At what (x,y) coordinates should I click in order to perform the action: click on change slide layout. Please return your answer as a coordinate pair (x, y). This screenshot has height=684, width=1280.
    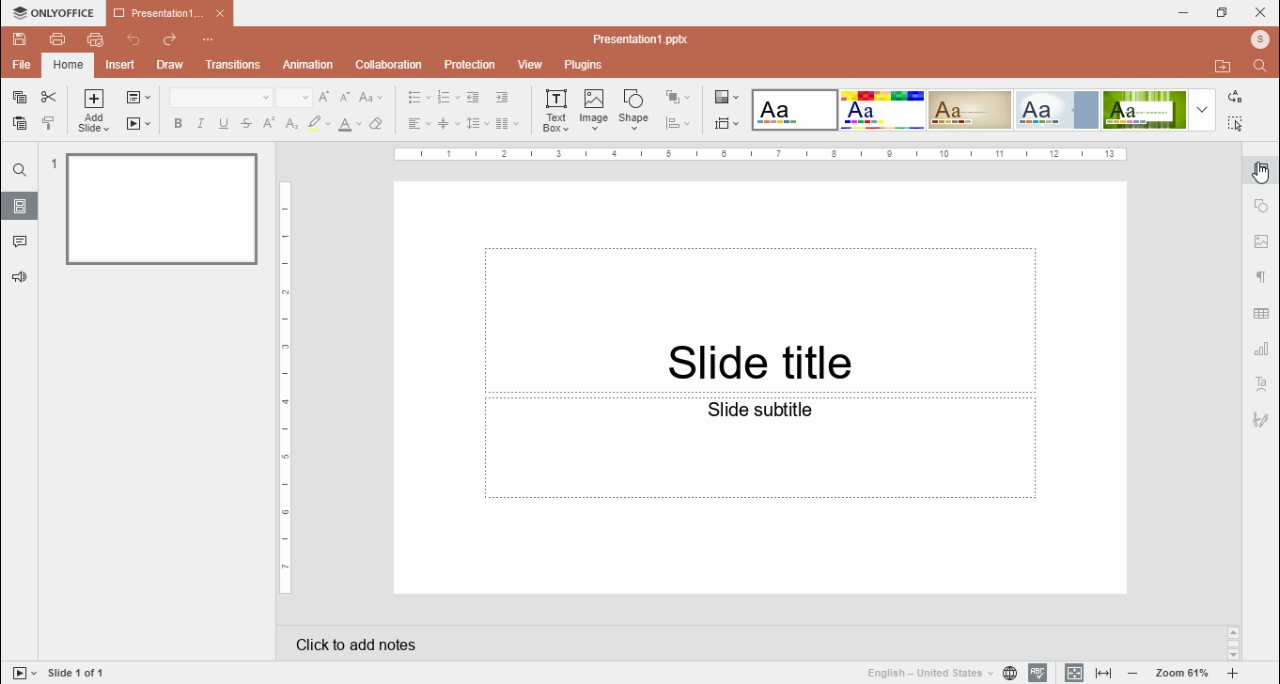
    Looking at the image, I should click on (138, 97).